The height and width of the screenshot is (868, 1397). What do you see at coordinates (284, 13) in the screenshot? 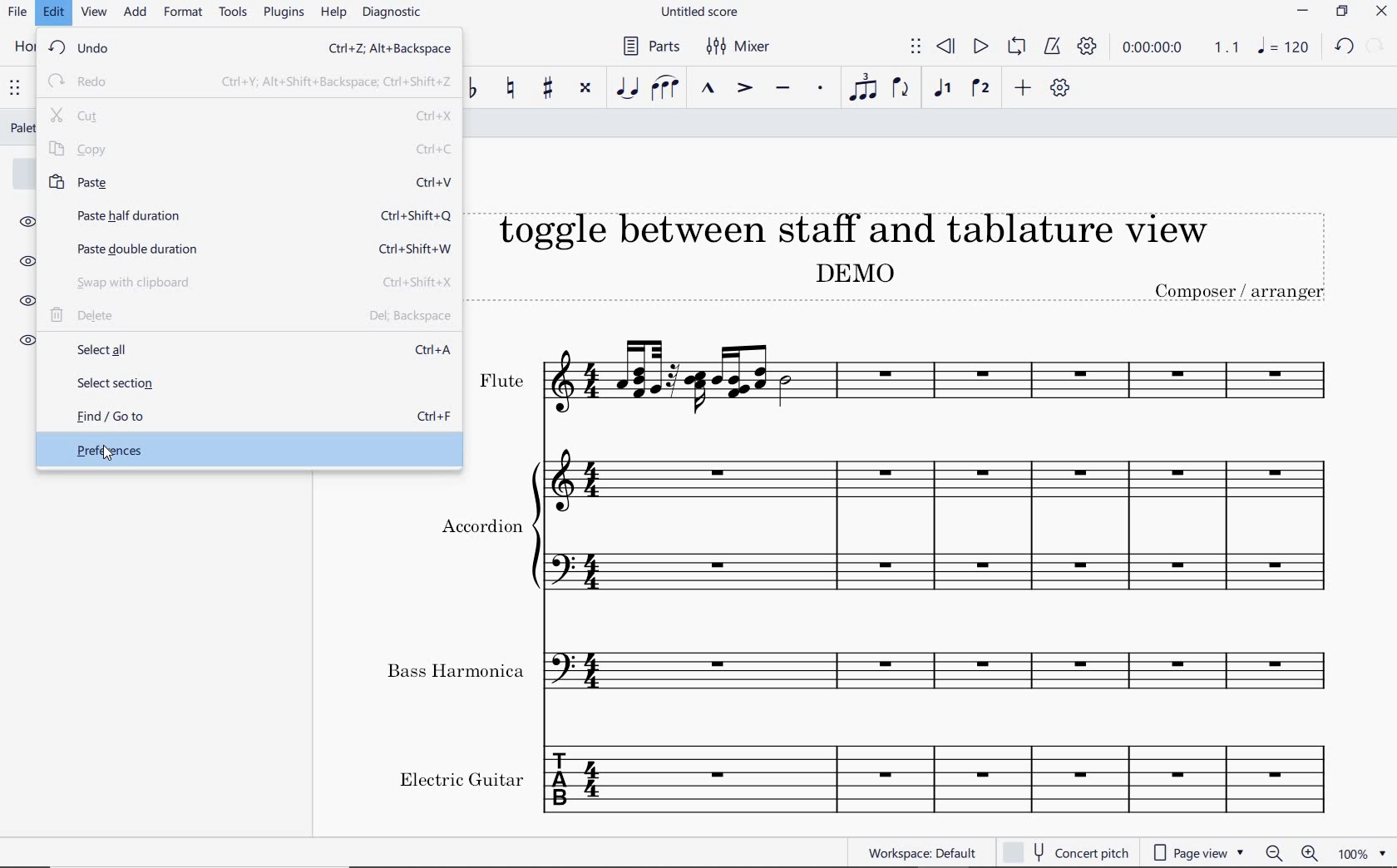
I see `plugins` at bounding box center [284, 13].